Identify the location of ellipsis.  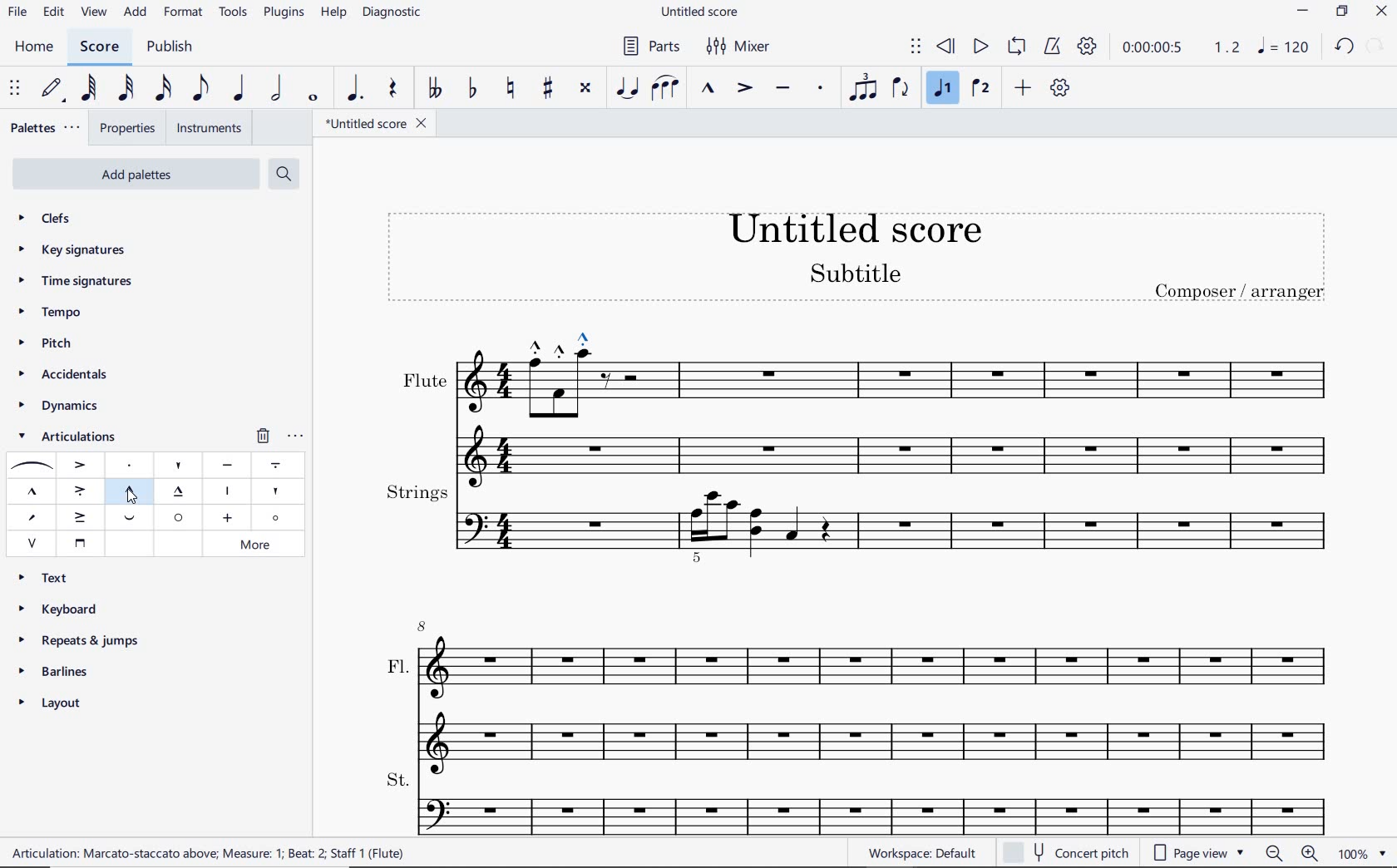
(295, 434).